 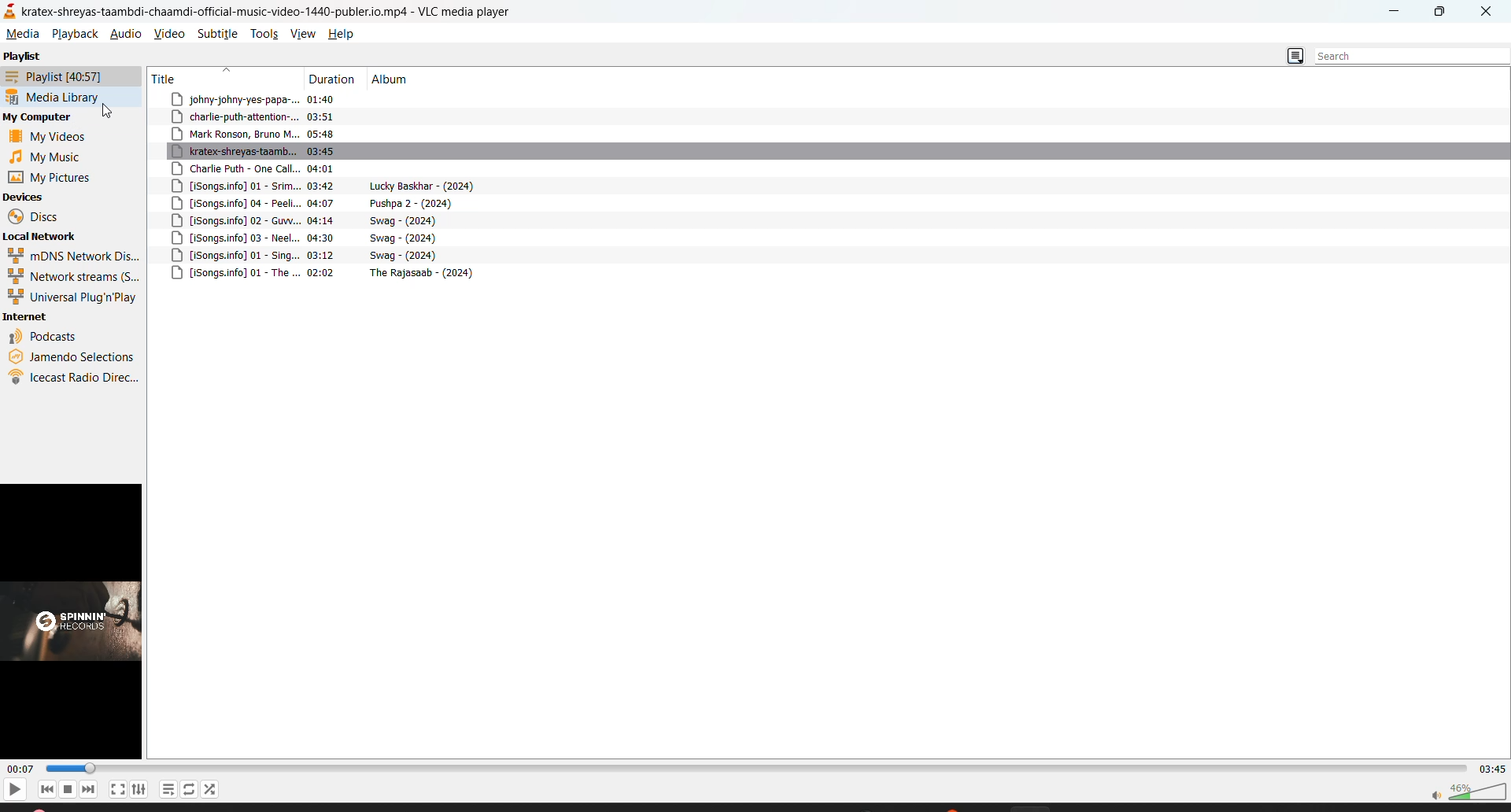 What do you see at coordinates (1468, 795) in the screenshot?
I see `volume` at bounding box center [1468, 795].